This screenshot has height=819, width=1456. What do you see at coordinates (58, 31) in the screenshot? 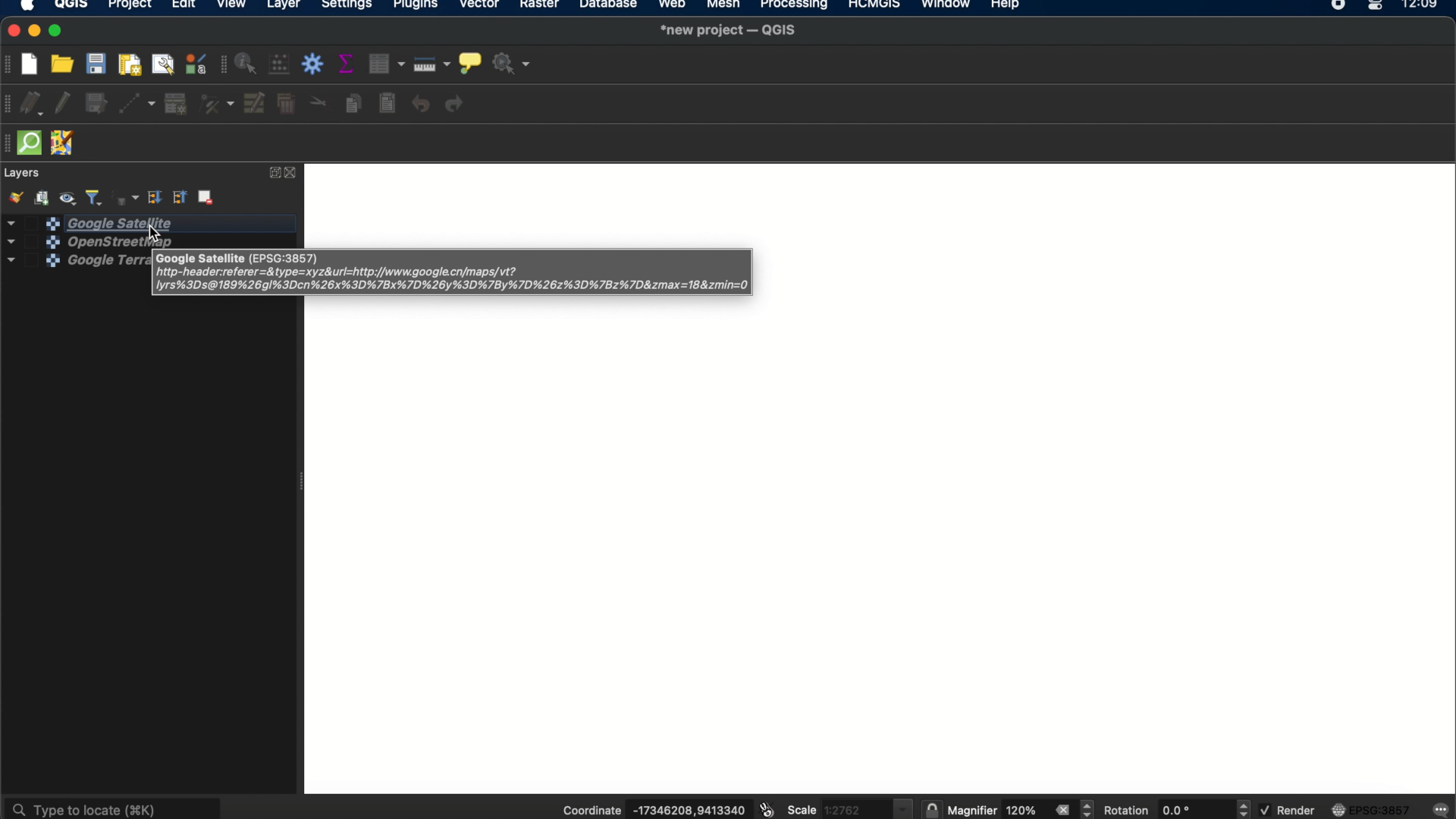
I see `maximize` at bounding box center [58, 31].